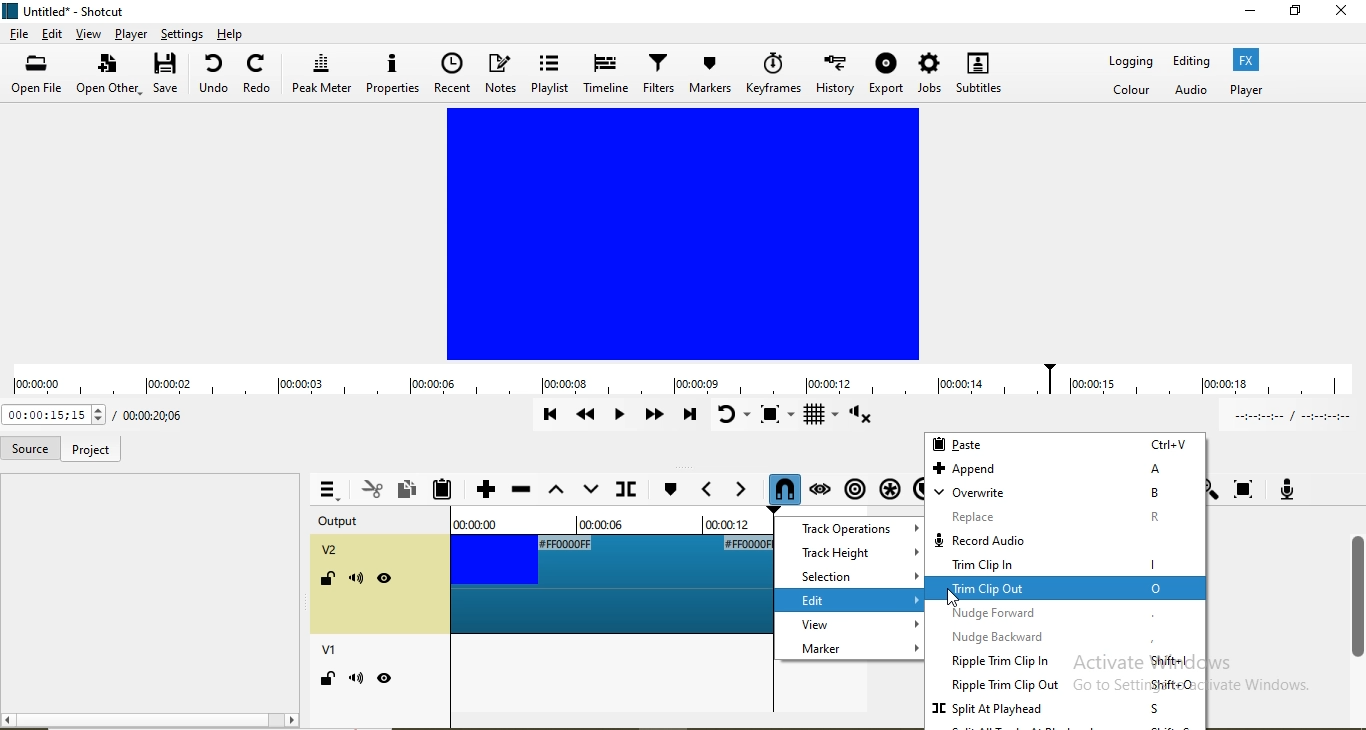 The image size is (1366, 730). What do you see at coordinates (1193, 91) in the screenshot?
I see `Audio` at bounding box center [1193, 91].